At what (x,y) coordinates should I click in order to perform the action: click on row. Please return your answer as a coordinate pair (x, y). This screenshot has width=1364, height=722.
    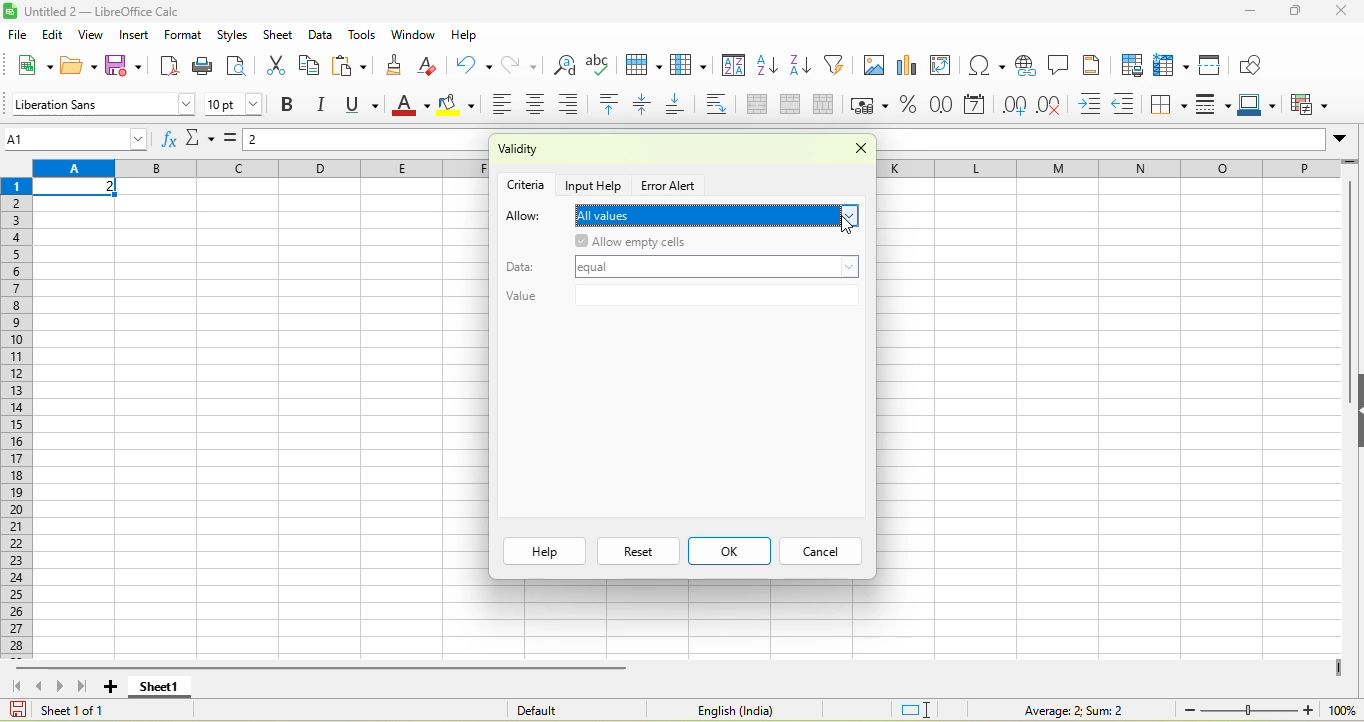
    Looking at the image, I should click on (646, 65).